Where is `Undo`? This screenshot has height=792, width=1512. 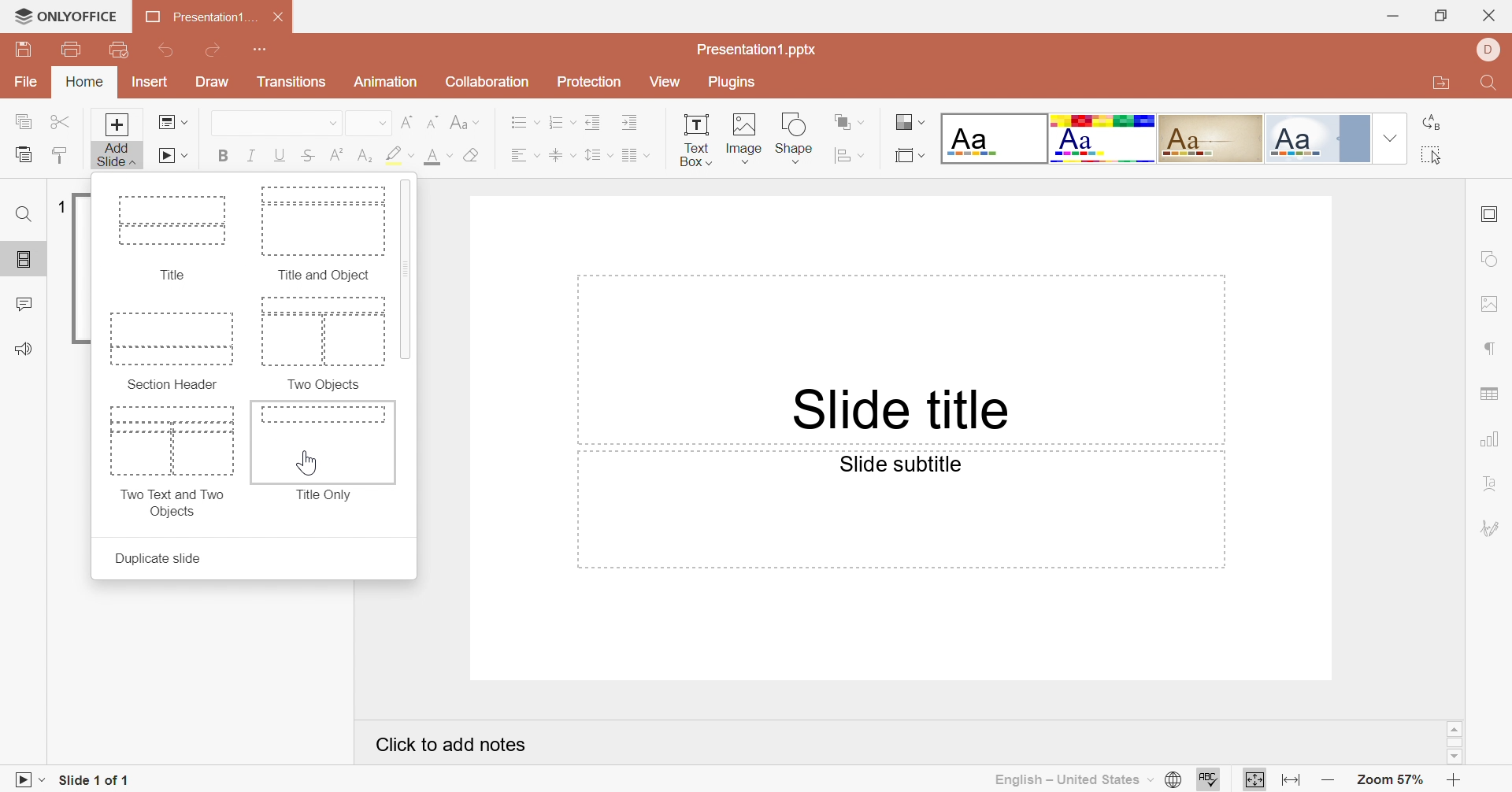 Undo is located at coordinates (165, 51).